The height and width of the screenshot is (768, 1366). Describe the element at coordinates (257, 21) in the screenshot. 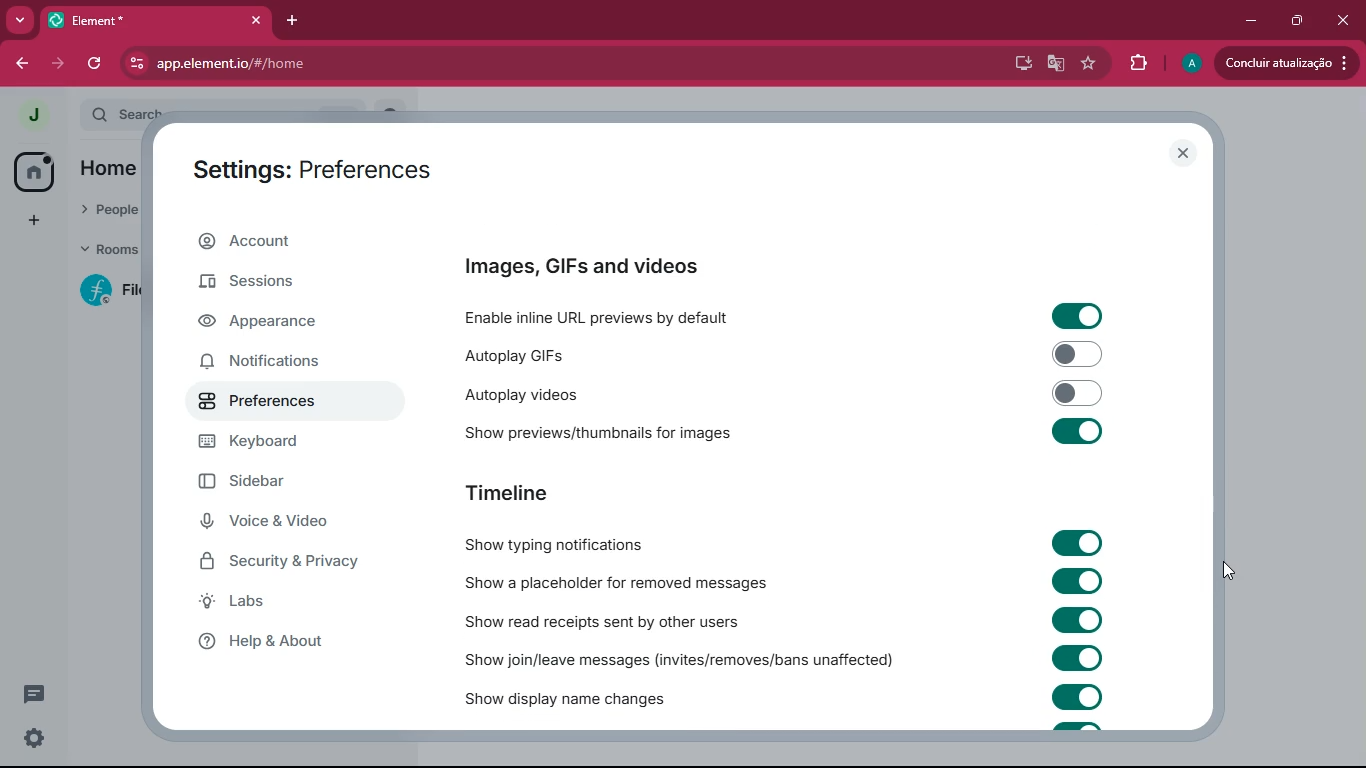

I see `close tab` at that location.